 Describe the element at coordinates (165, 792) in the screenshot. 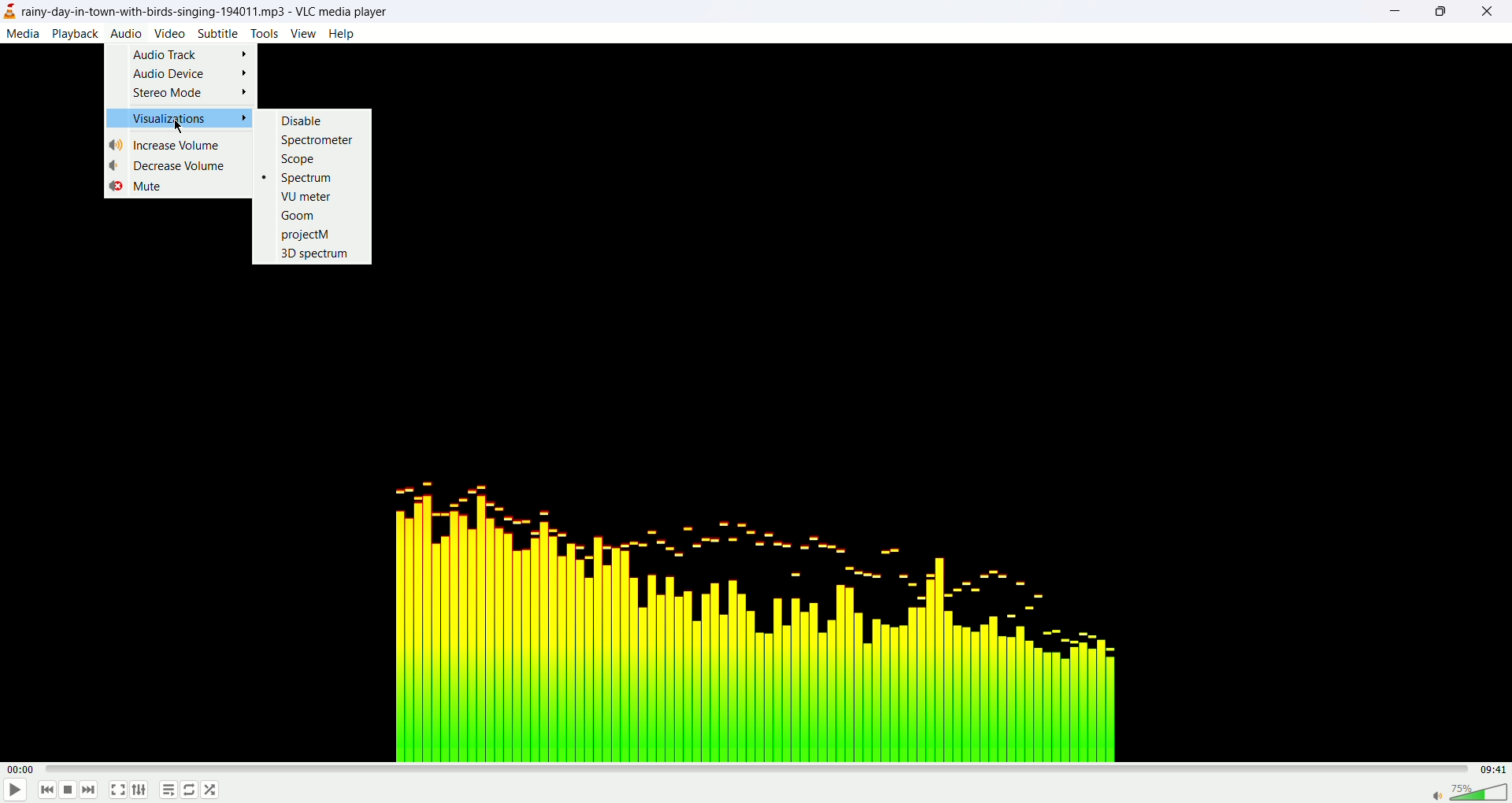

I see `playlist` at that location.